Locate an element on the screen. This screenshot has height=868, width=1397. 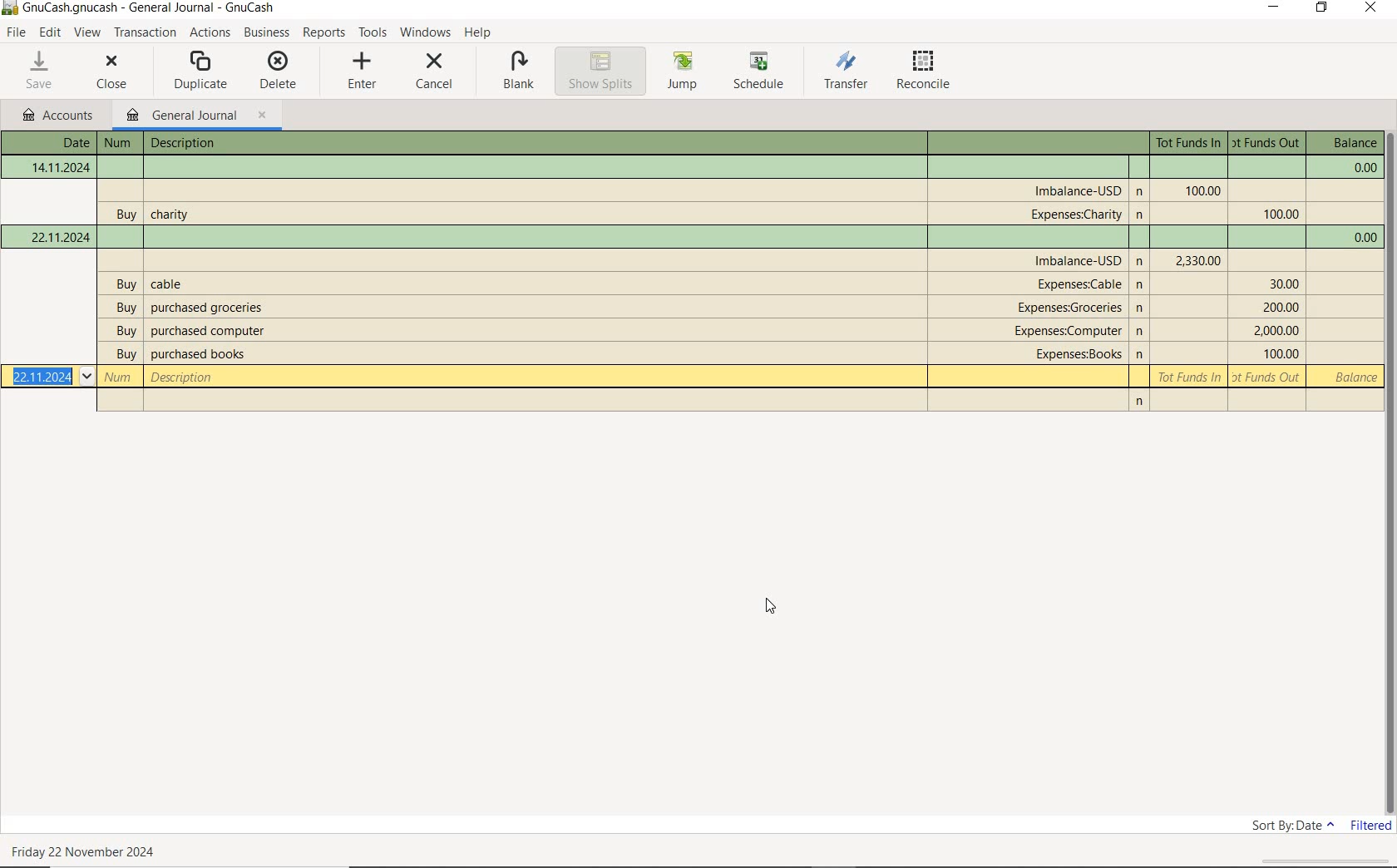
account is located at coordinates (1076, 215).